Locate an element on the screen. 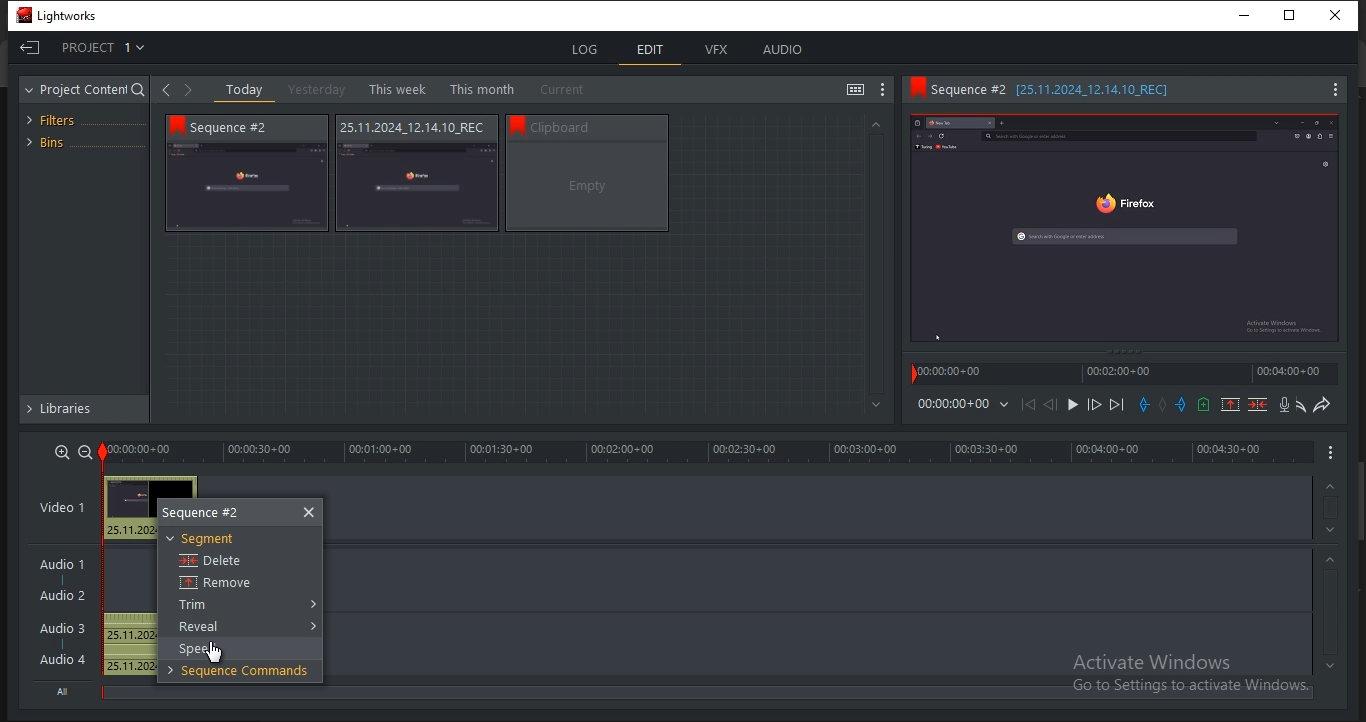 The height and width of the screenshot is (722, 1366). project content is located at coordinates (83, 89).